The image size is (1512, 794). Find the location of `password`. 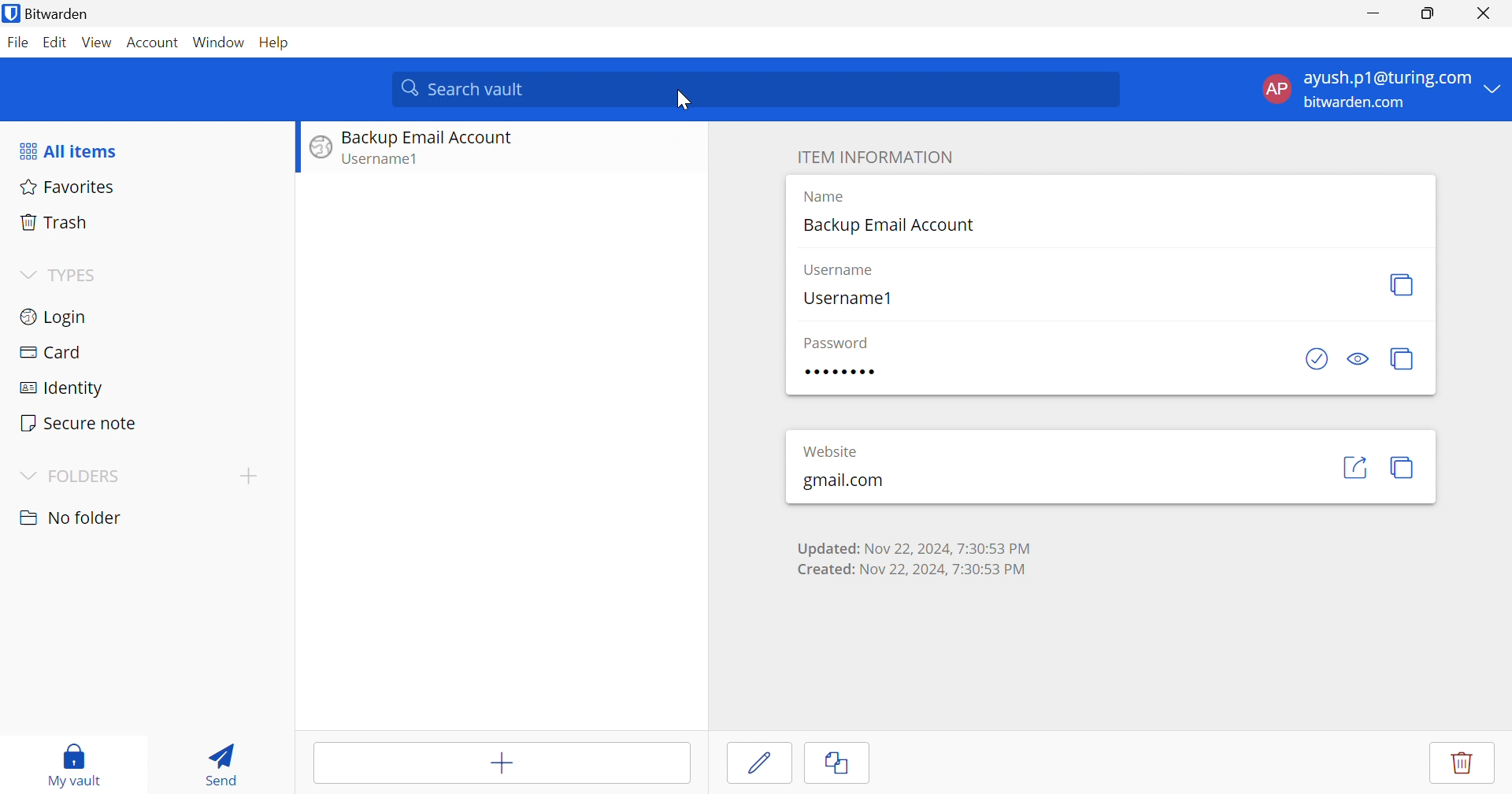

password is located at coordinates (858, 343).